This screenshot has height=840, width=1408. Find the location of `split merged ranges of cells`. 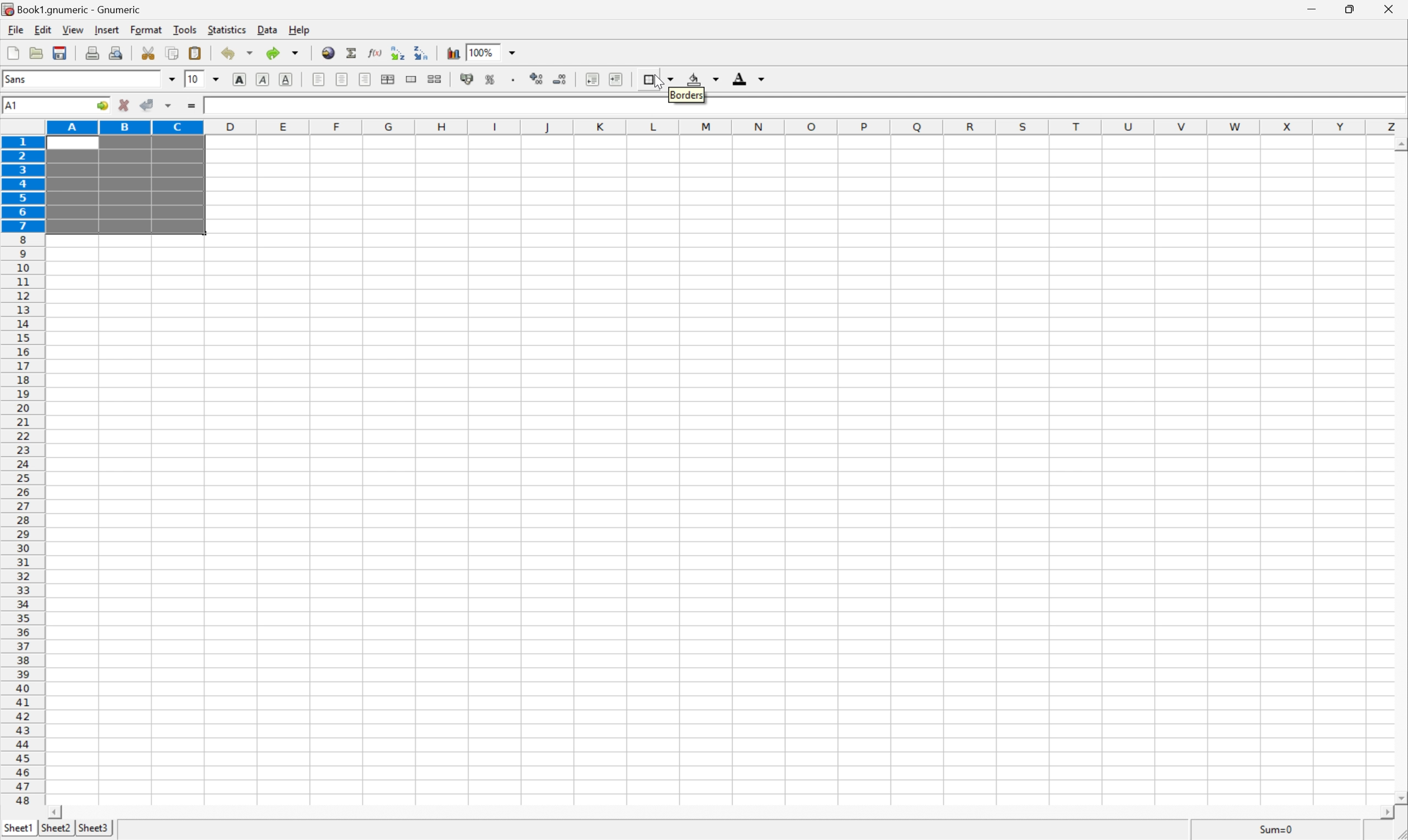

split merged ranges of cells is located at coordinates (435, 78).